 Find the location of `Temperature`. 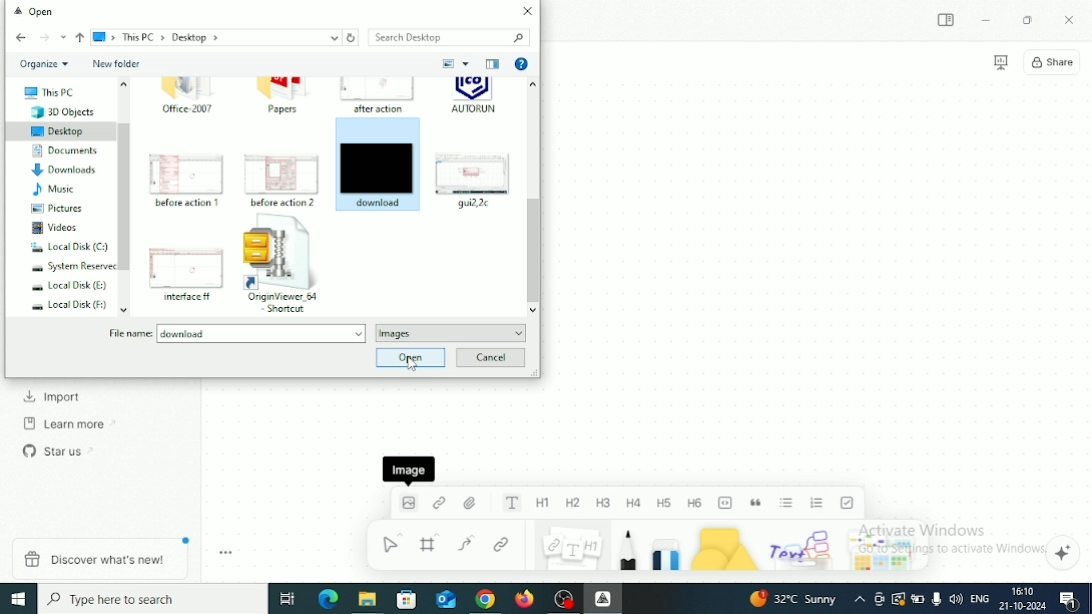

Temperature is located at coordinates (793, 598).